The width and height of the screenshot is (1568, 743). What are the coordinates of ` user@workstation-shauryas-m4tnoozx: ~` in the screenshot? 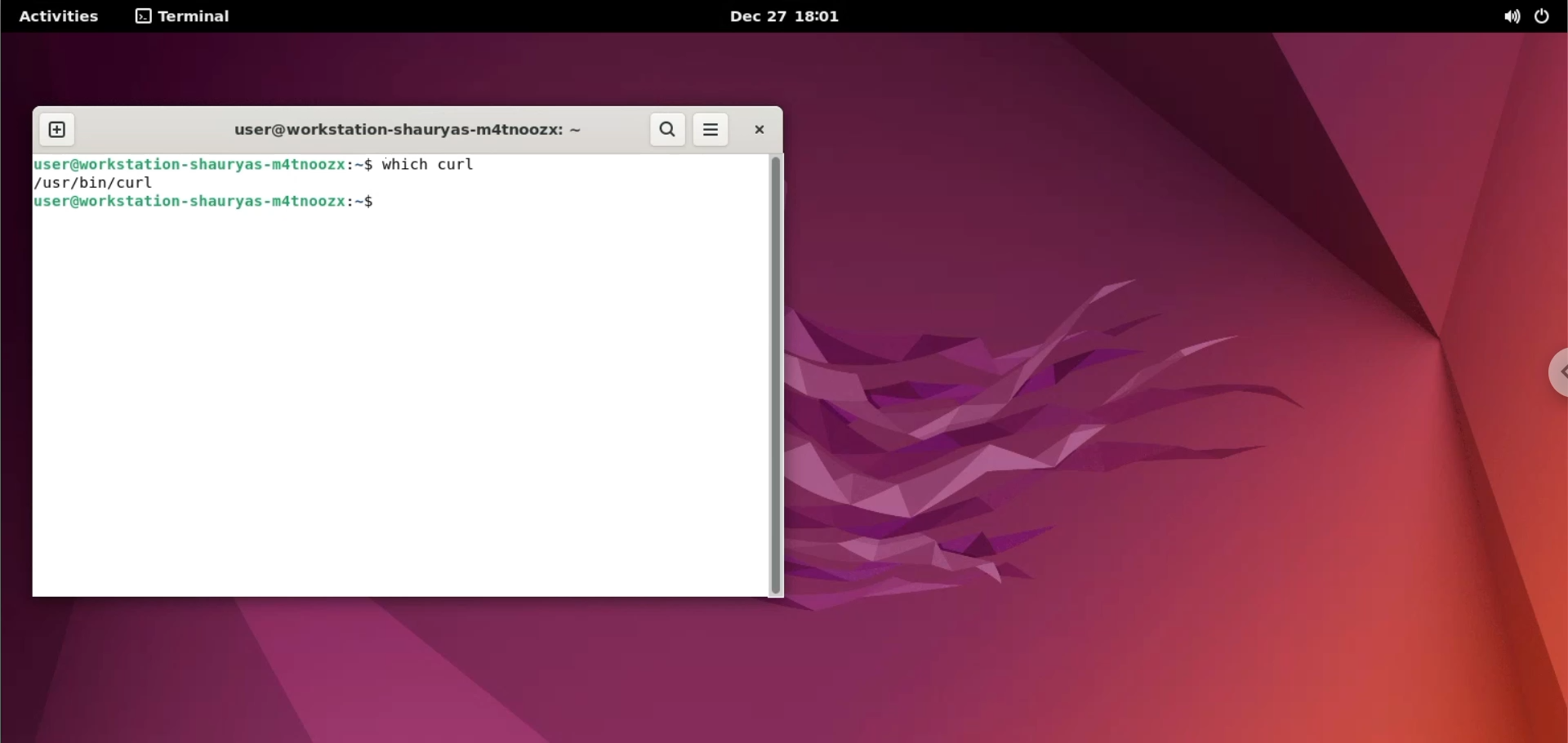 It's located at (204, 202).